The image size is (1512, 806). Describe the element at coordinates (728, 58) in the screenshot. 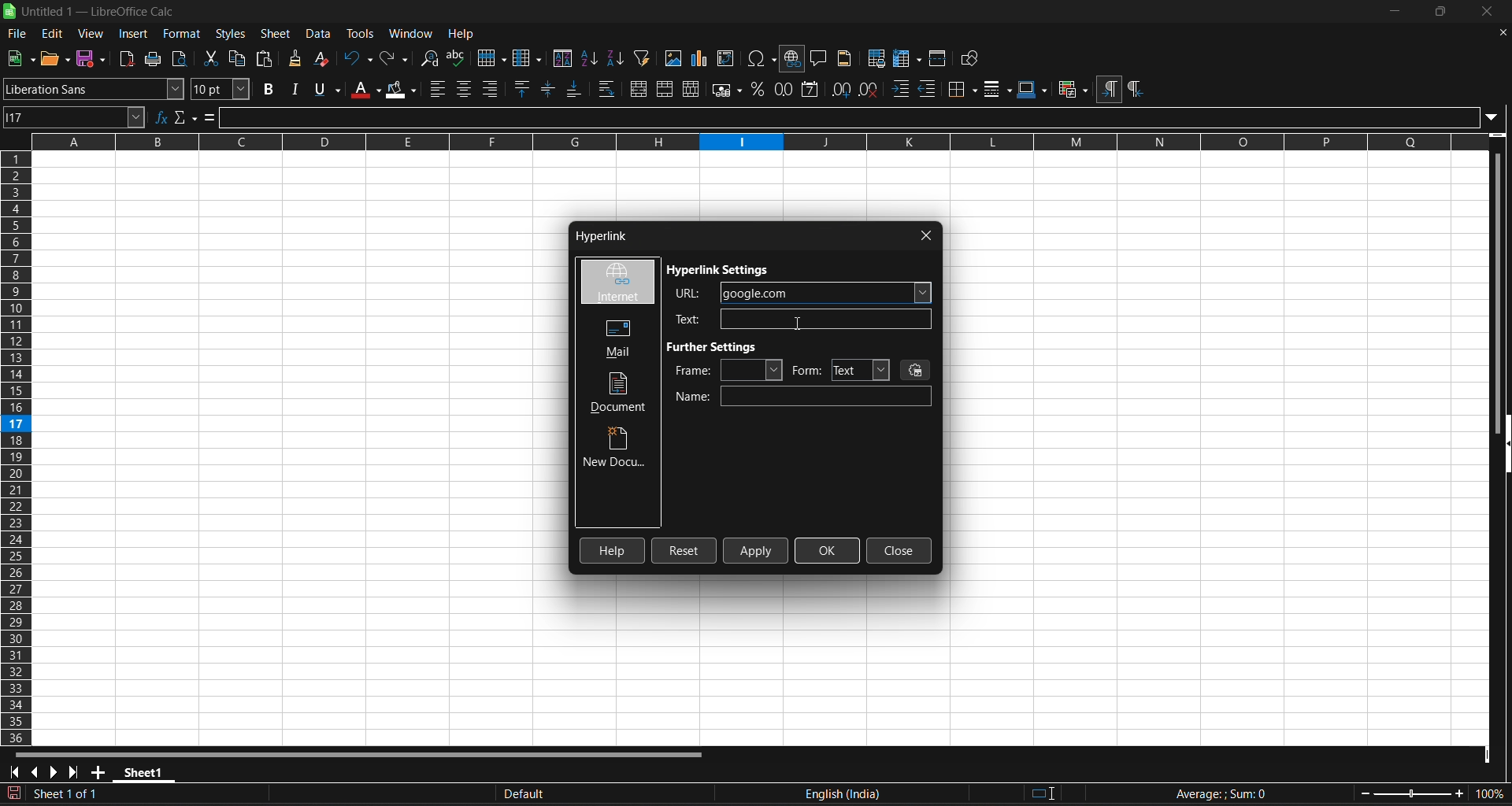

I see `insert or edit pivot table` at that location.